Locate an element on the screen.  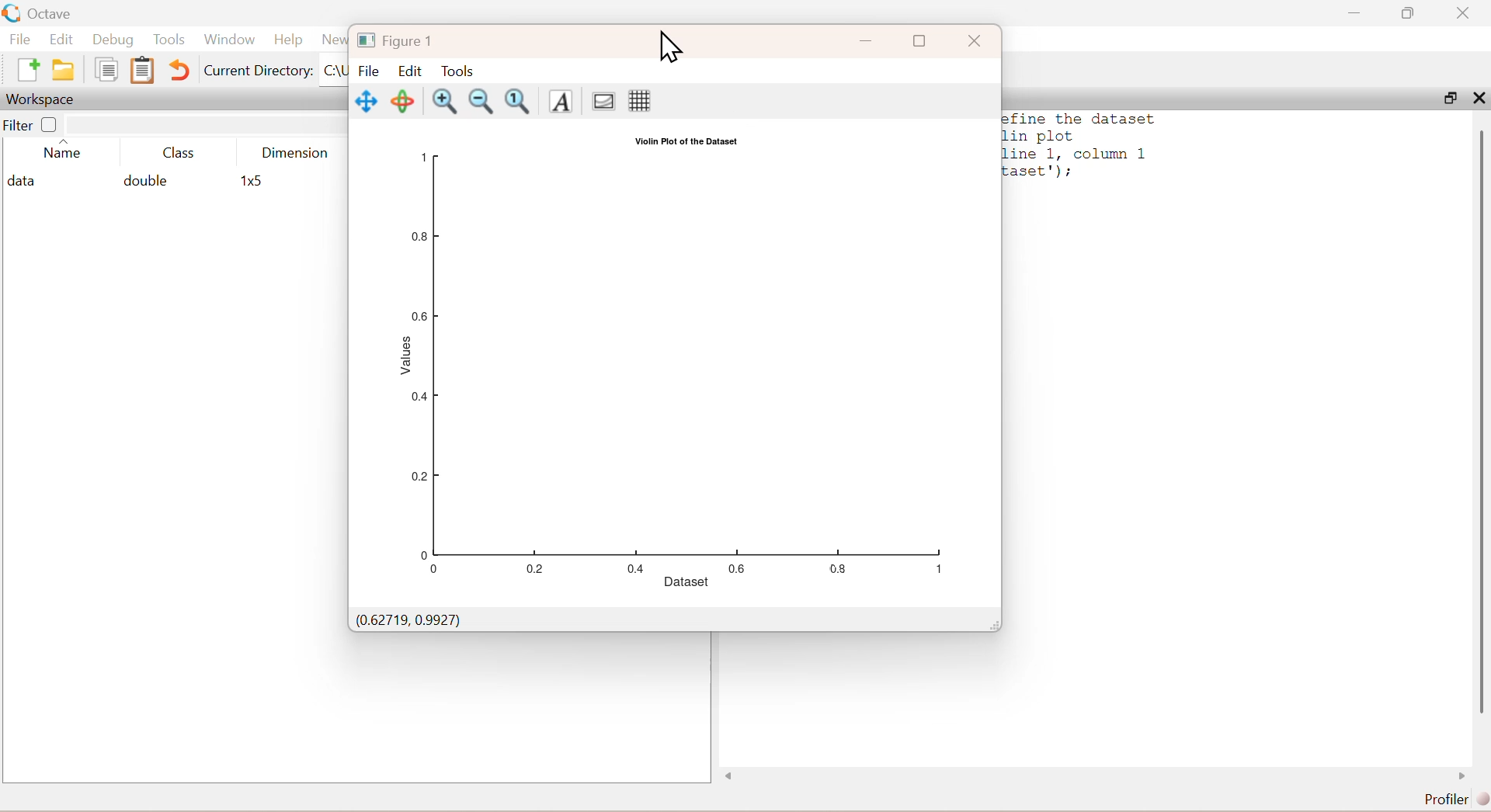
dimensions is located at coordinates (296, 152).